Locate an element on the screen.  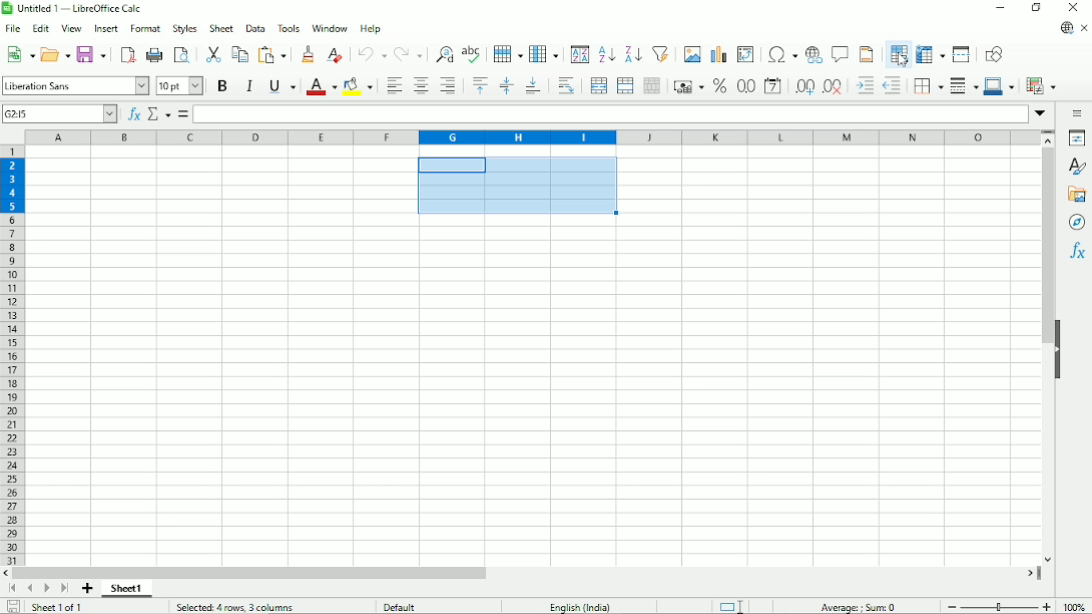
Sort descending is located at coordinates (631, 53).